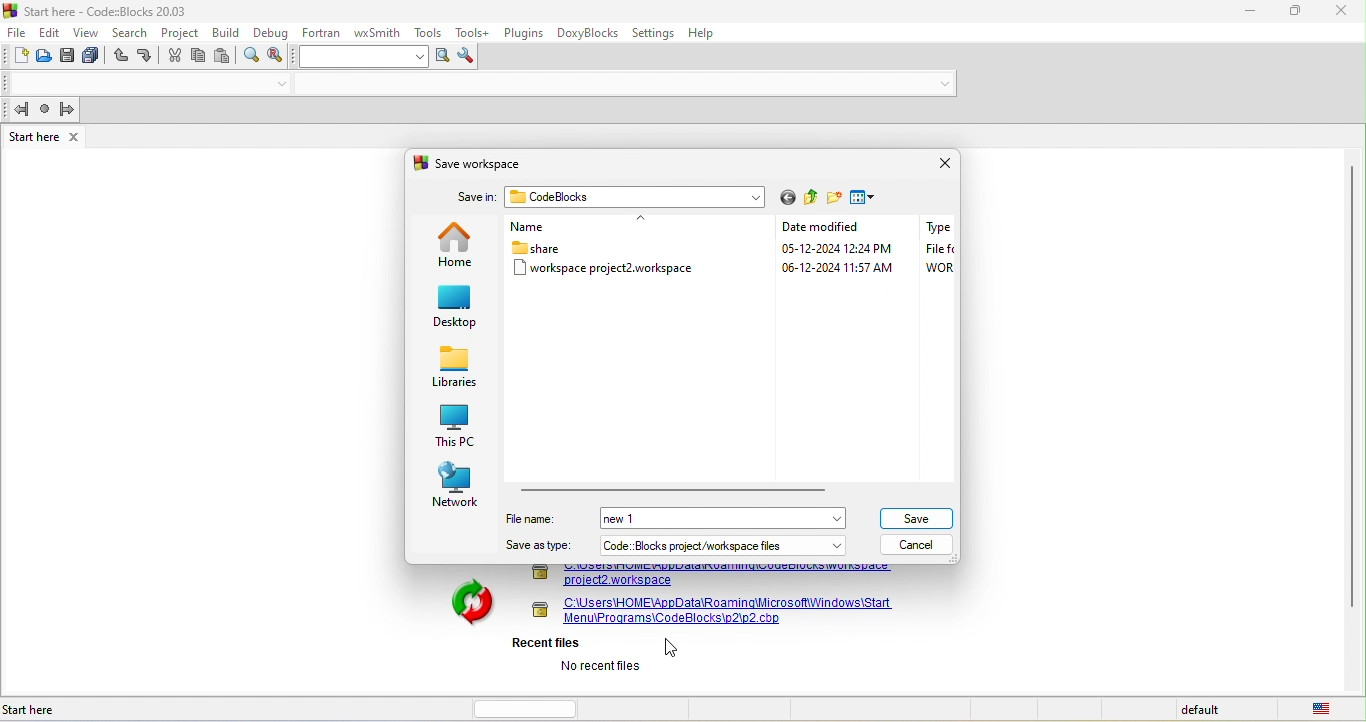  Describe the element at coordinates (133, 32) in the screenshot. I see `search` at that location.